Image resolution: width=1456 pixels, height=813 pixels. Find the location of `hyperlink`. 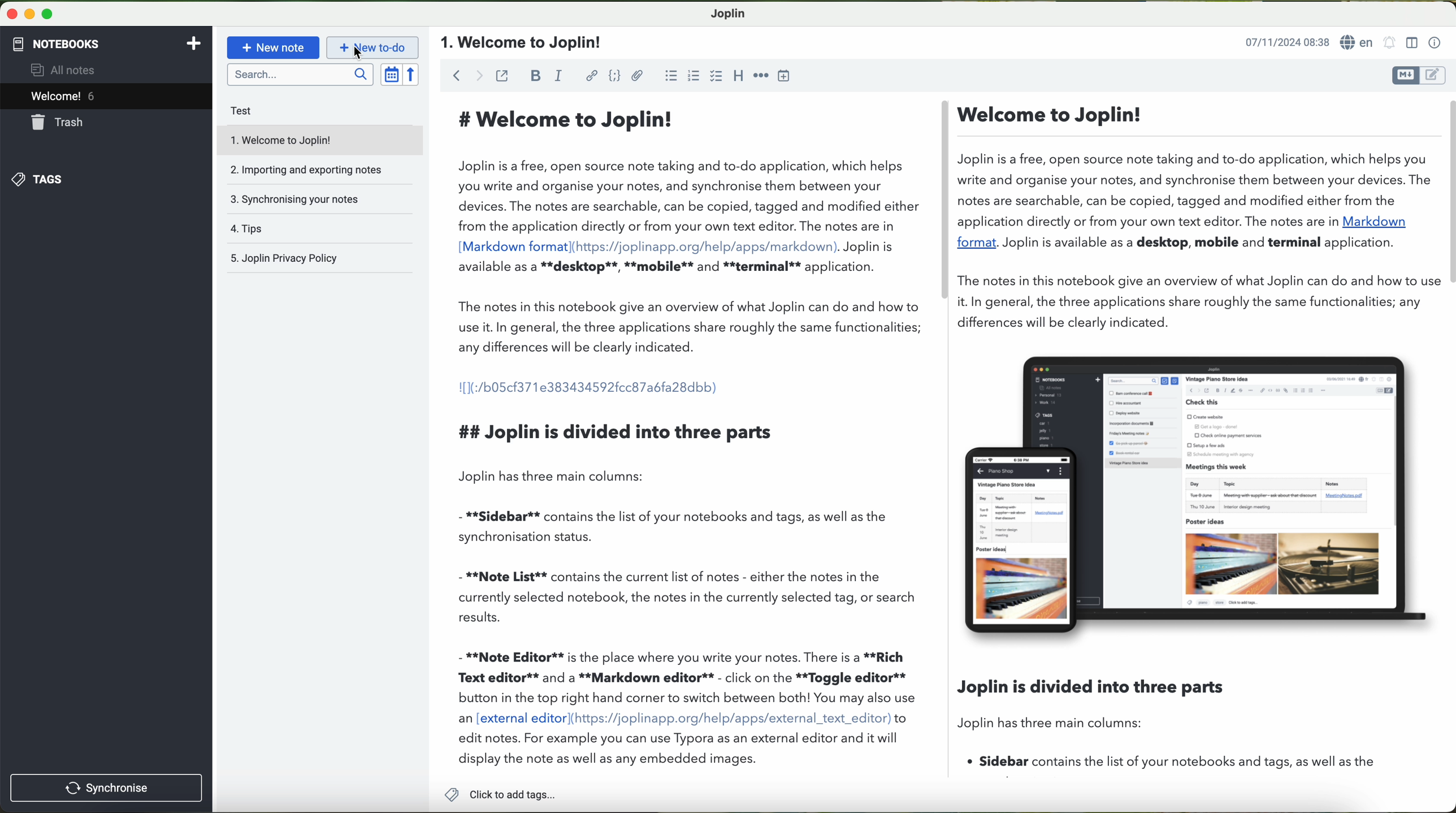

hyperlink is located at coordinates (589, 76).